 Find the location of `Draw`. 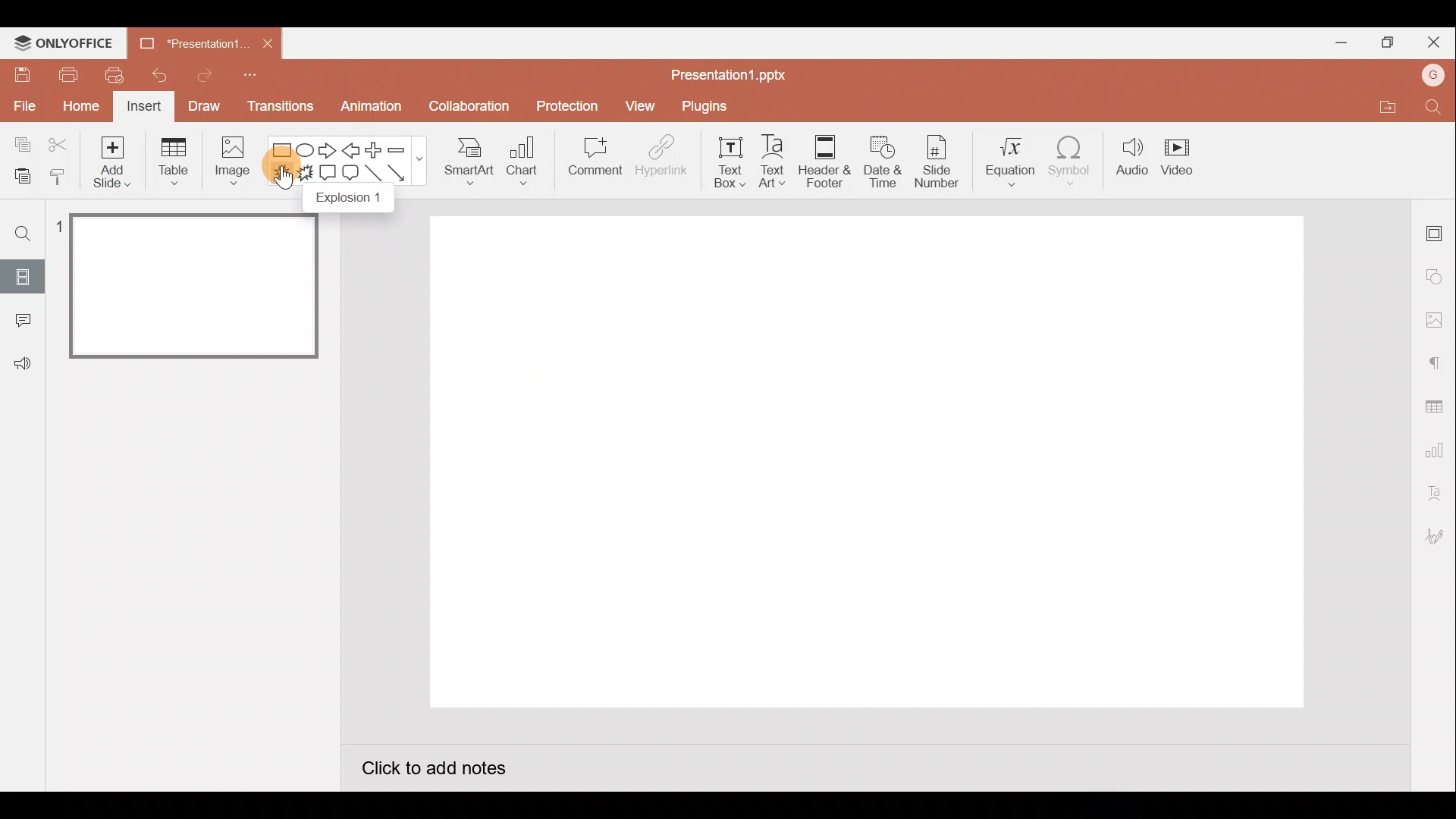

Draw is located at coordinates (204, 108).